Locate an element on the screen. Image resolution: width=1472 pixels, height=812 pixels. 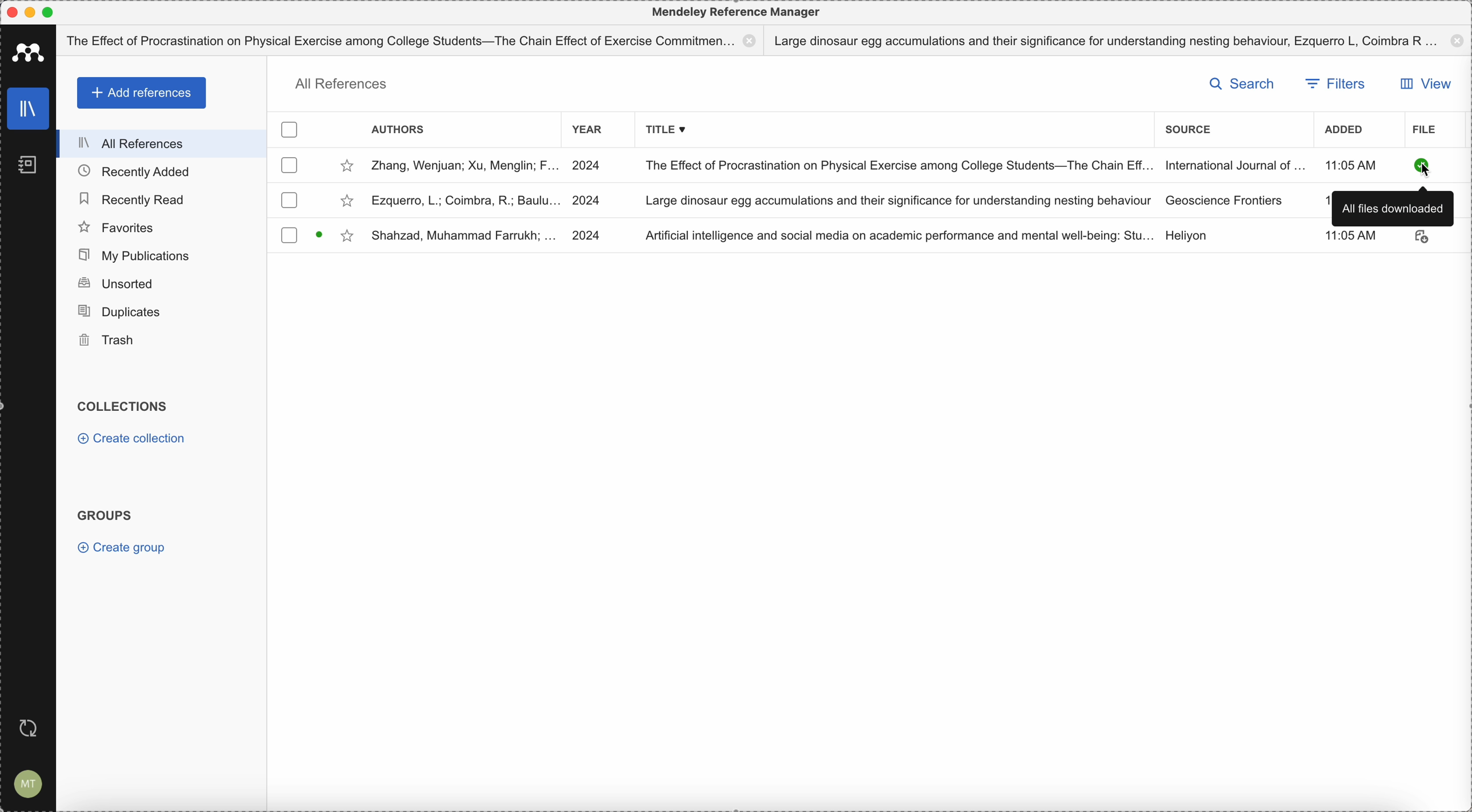
all files downloaded is located at coordinates (1393, 210).